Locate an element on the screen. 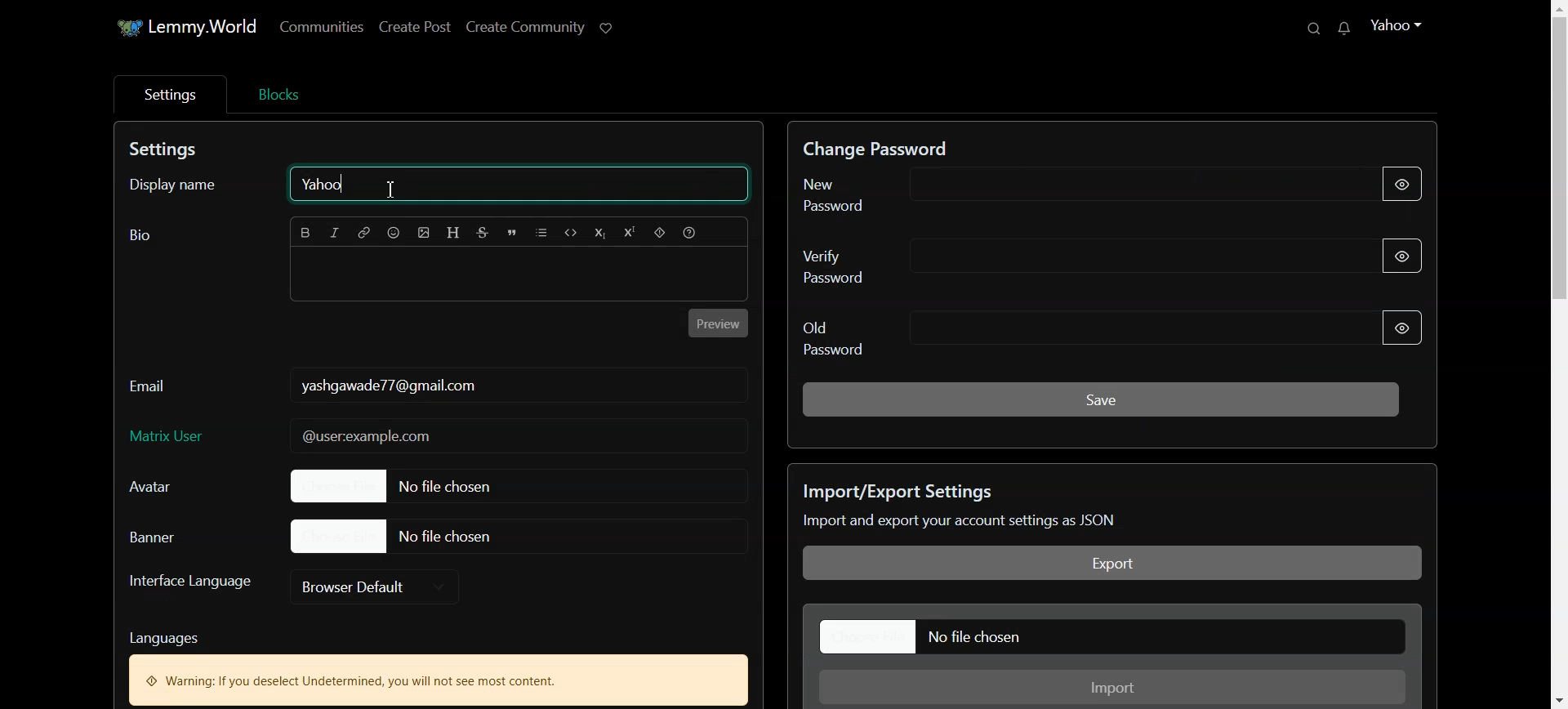 The width and height of the screenshot is (1568, 709). Bold is located at coordinates (306, 233).